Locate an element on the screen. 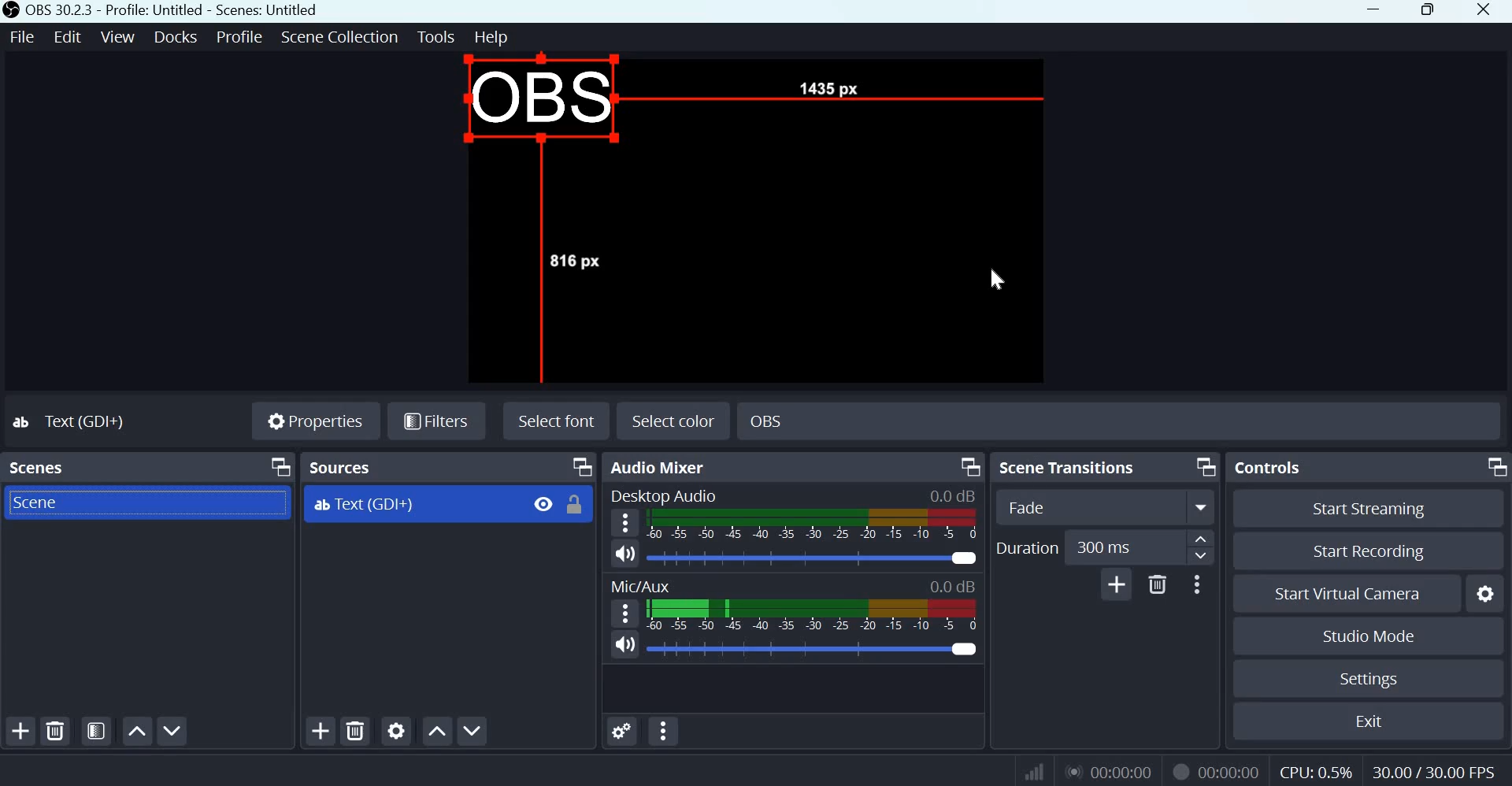 This screenshot has width=1512, height=786. Open source properties is located at coordinates (396, 730).